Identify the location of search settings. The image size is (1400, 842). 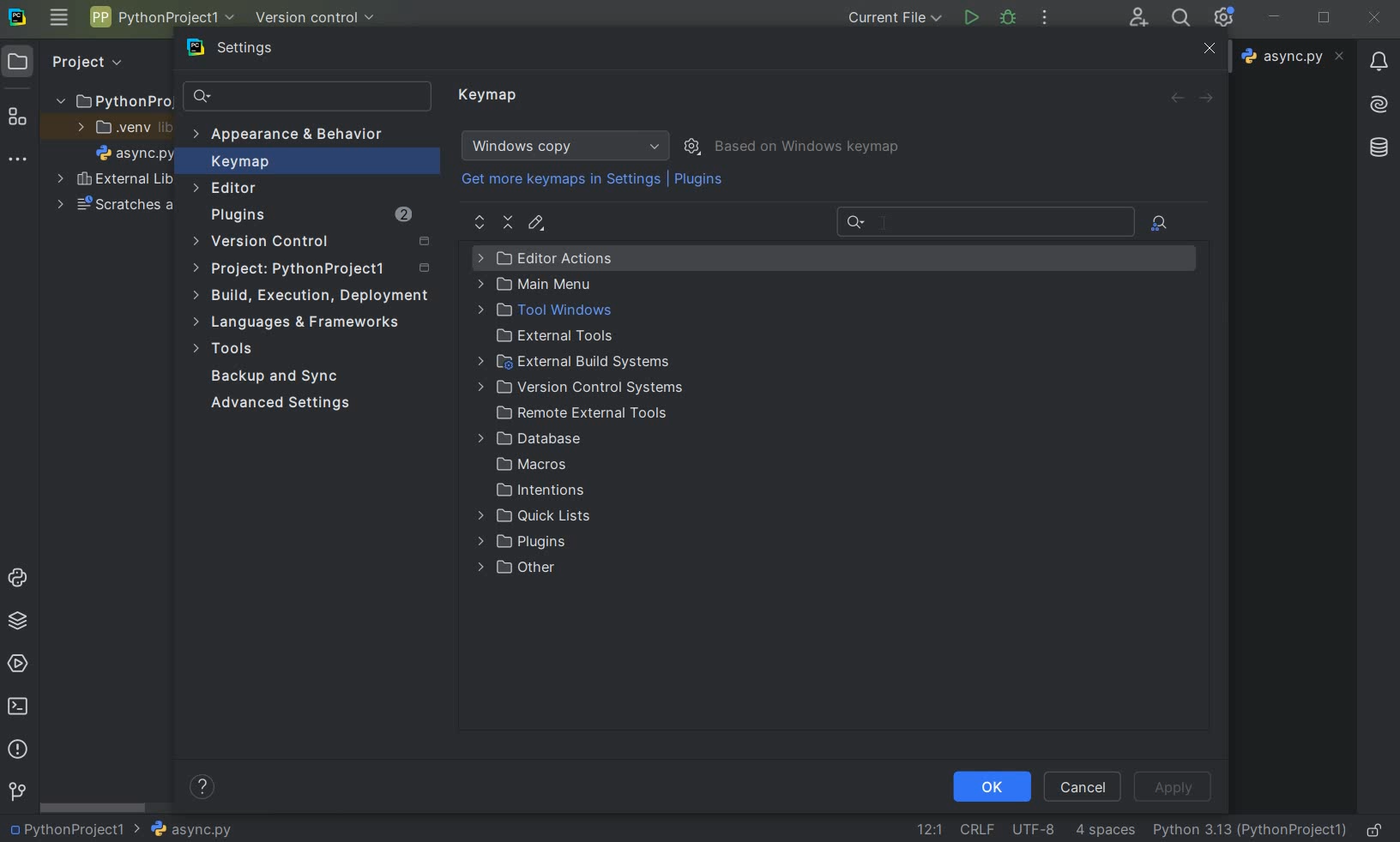
(308, 97).